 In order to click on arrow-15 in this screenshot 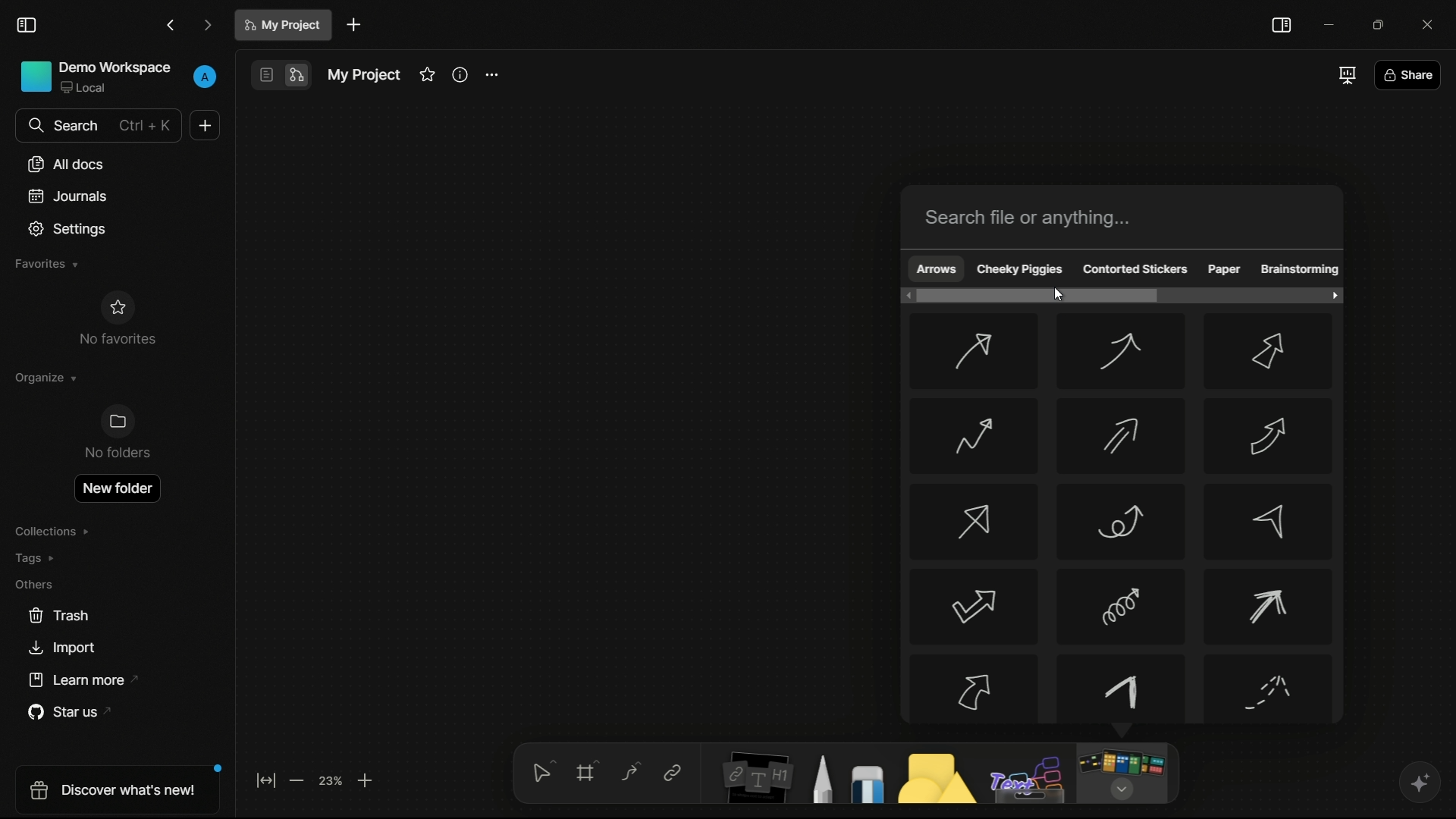, I will do `click(1270, 690)`.